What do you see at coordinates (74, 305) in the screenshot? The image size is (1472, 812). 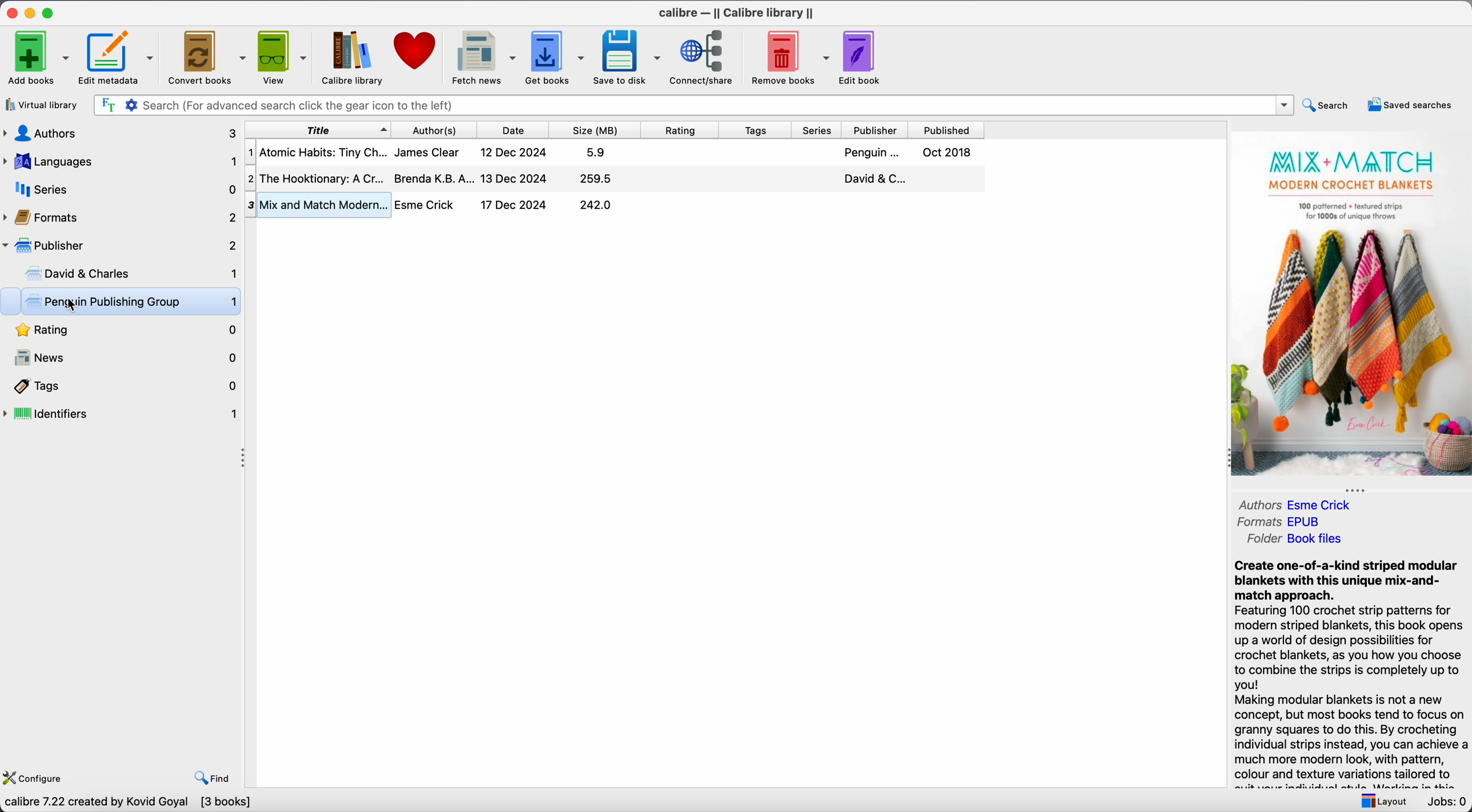 I see `cursor` at bounding box center [74, 305].